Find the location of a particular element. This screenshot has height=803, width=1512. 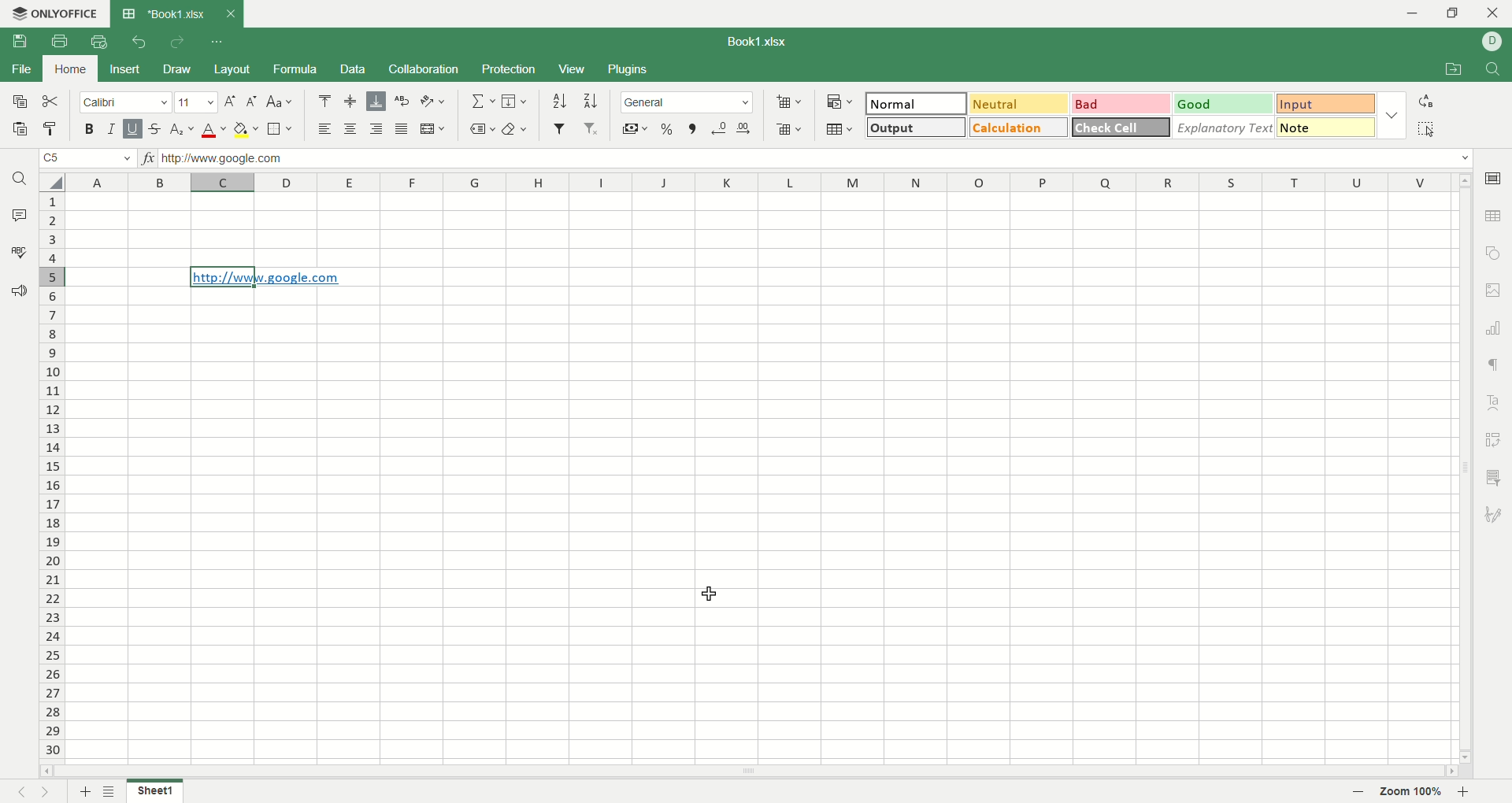

format as table template is located at coordinates (839, 129).